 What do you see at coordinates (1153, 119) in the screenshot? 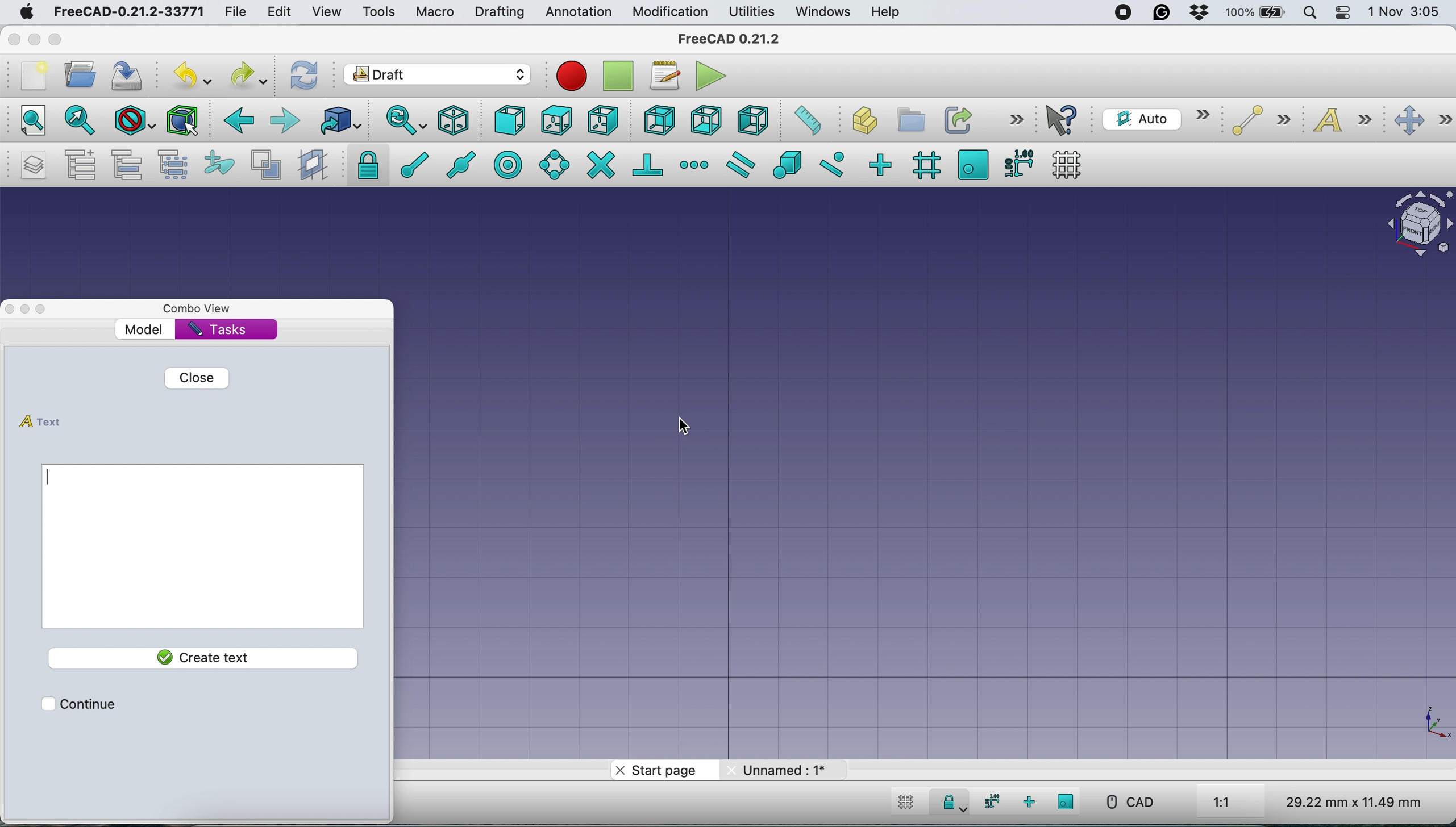
I see `current working plane` at bounding box center [1153, 119].